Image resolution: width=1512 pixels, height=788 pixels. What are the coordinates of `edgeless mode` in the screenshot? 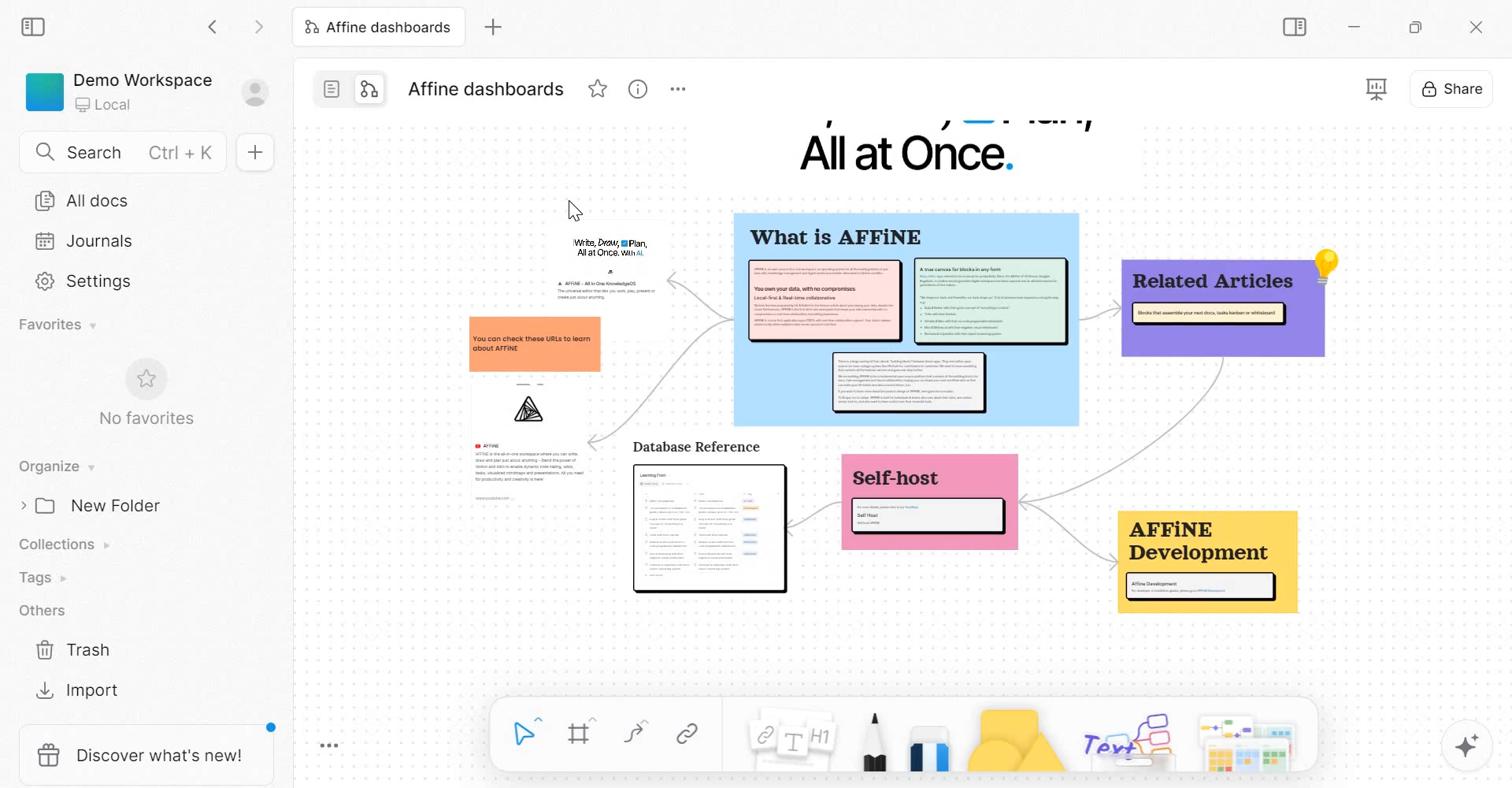 It's located at (369, 89).